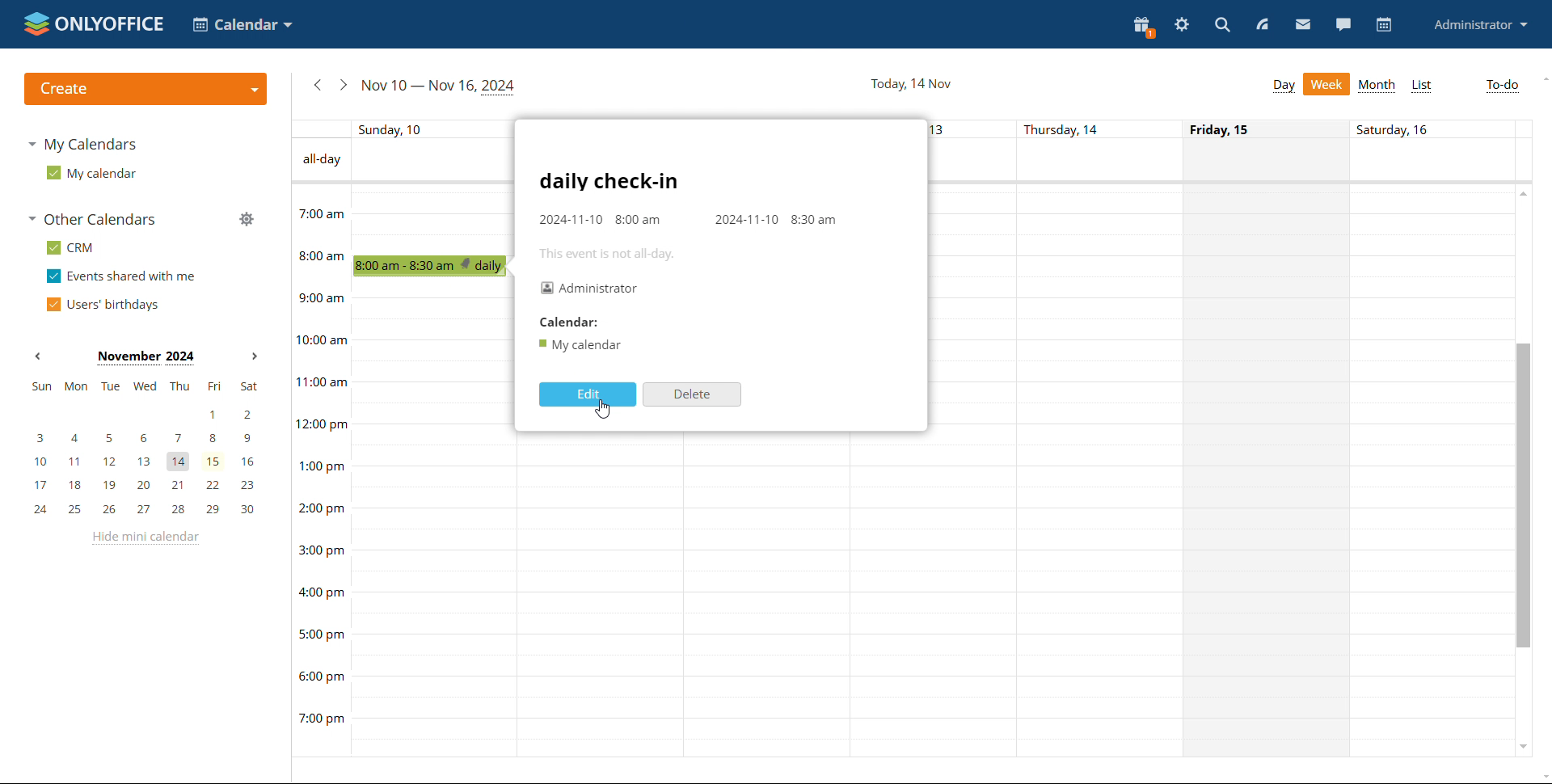 This screenshot has height=784, width=1552. Describe the element at coordinates (317, 85) in the screenshot. I see `previous week` at that location.